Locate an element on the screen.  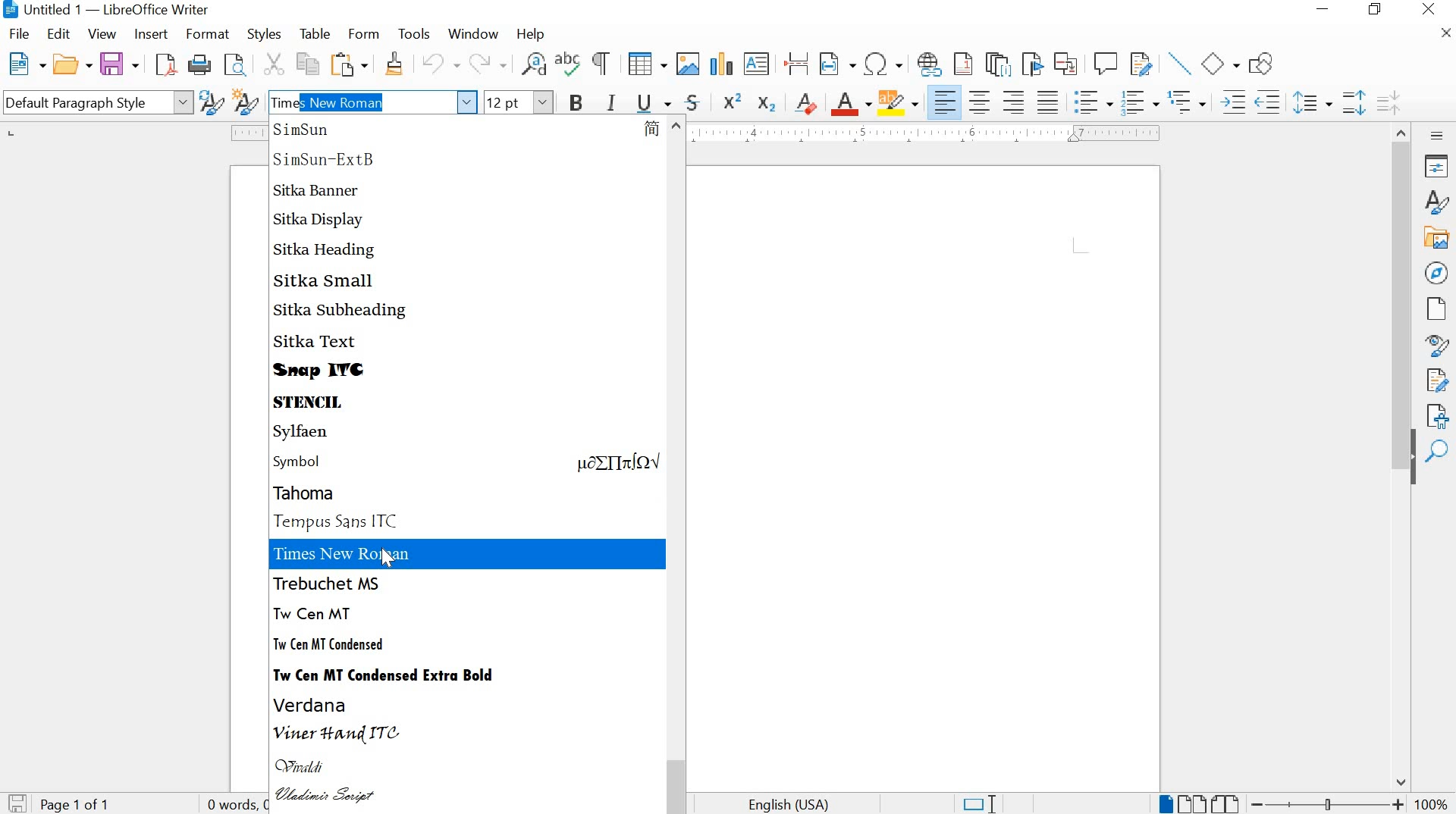
DECREASE PARAGRAPH SPACING is located at coordinates (1387, 101).